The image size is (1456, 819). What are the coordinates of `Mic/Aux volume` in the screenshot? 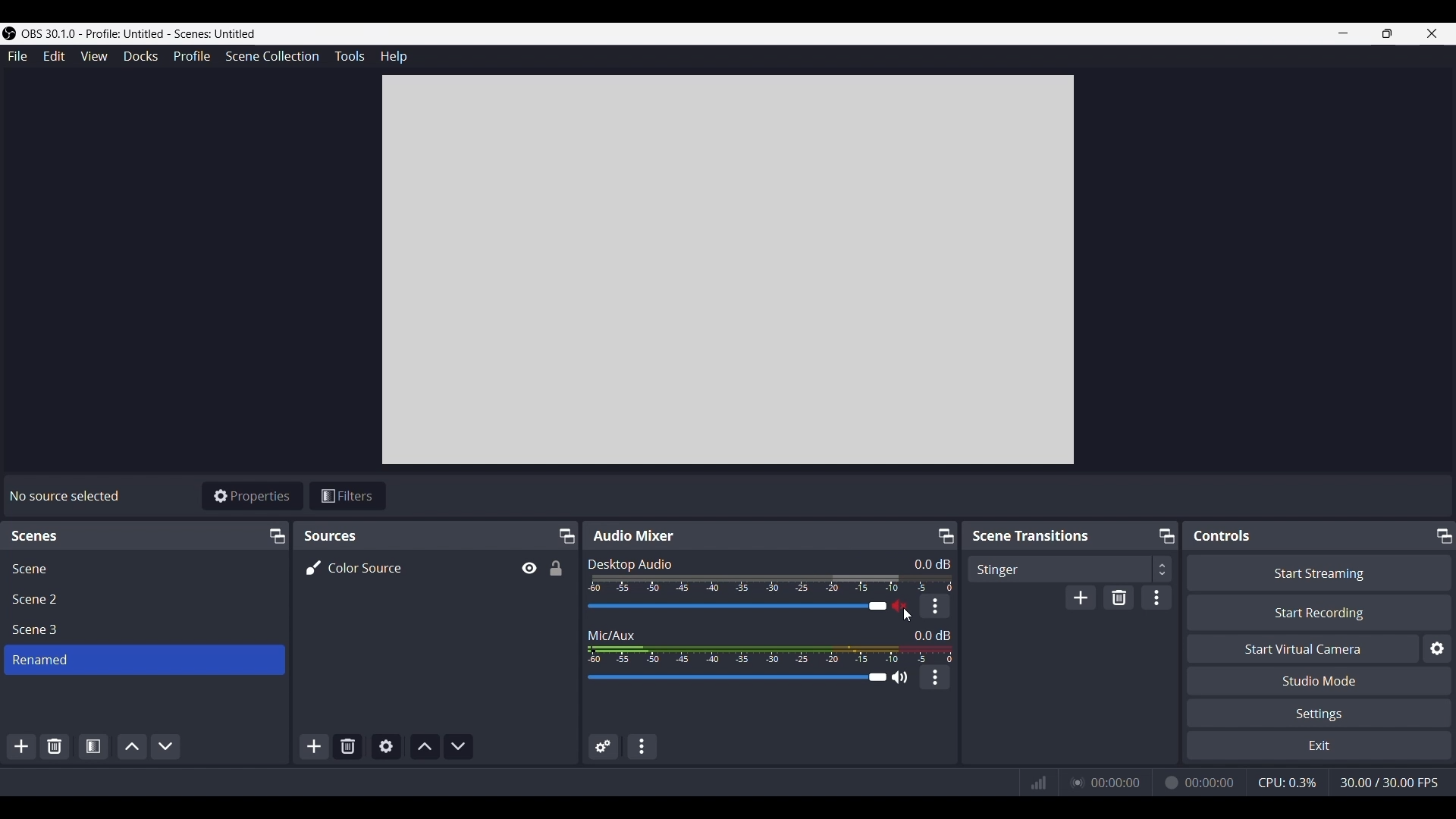 It's located at (770, 654).